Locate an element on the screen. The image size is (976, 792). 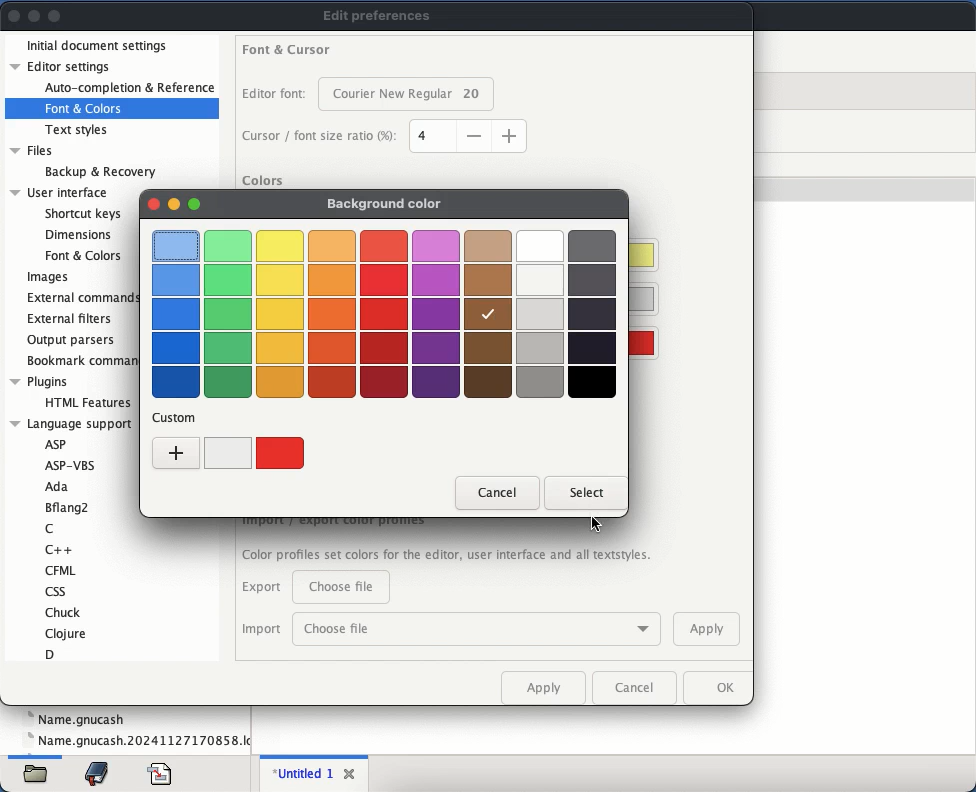
Language support is located at coordinates (72, 422).